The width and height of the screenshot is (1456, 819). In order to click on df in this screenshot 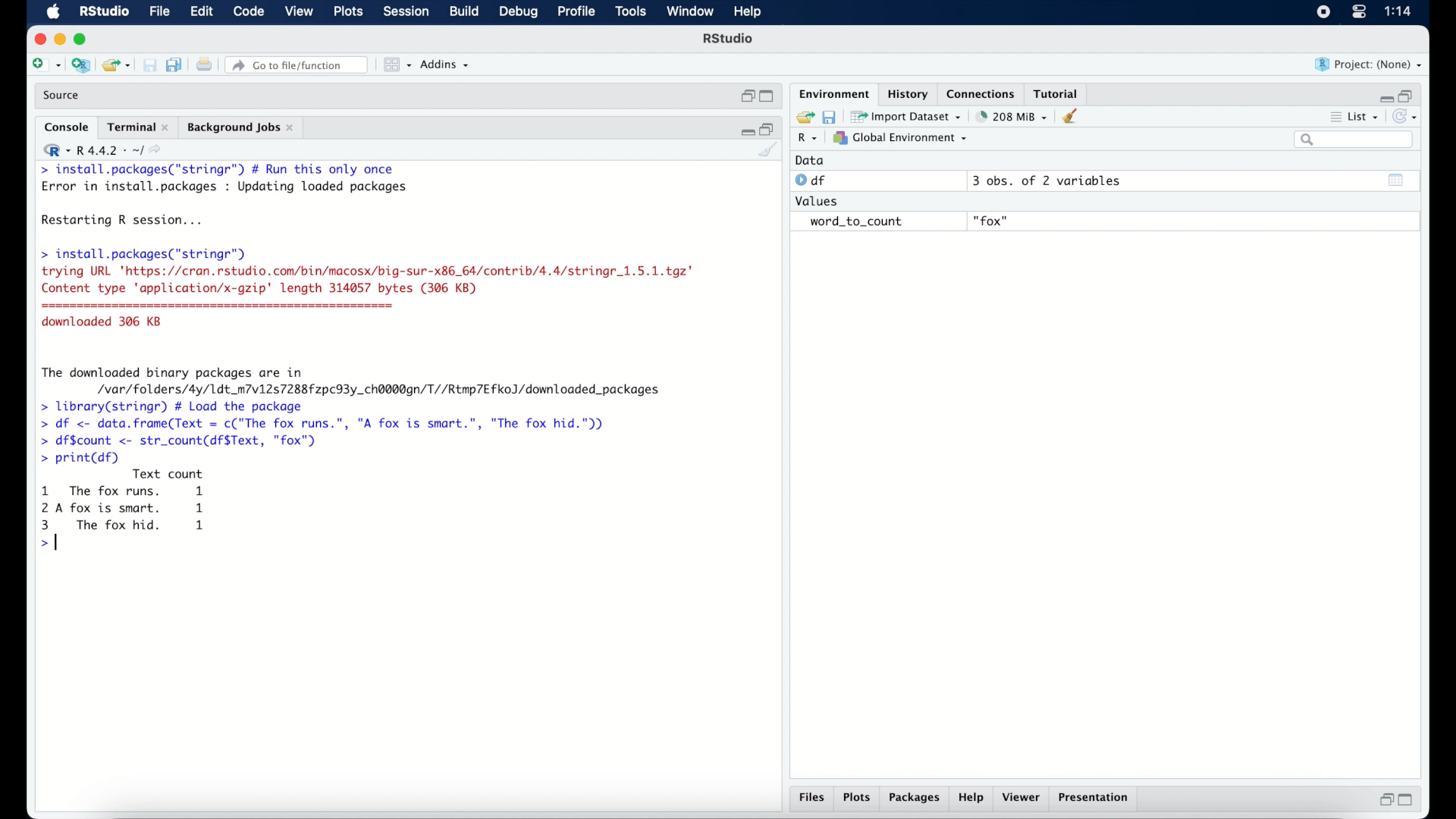, I will do `click(813, 180)`.